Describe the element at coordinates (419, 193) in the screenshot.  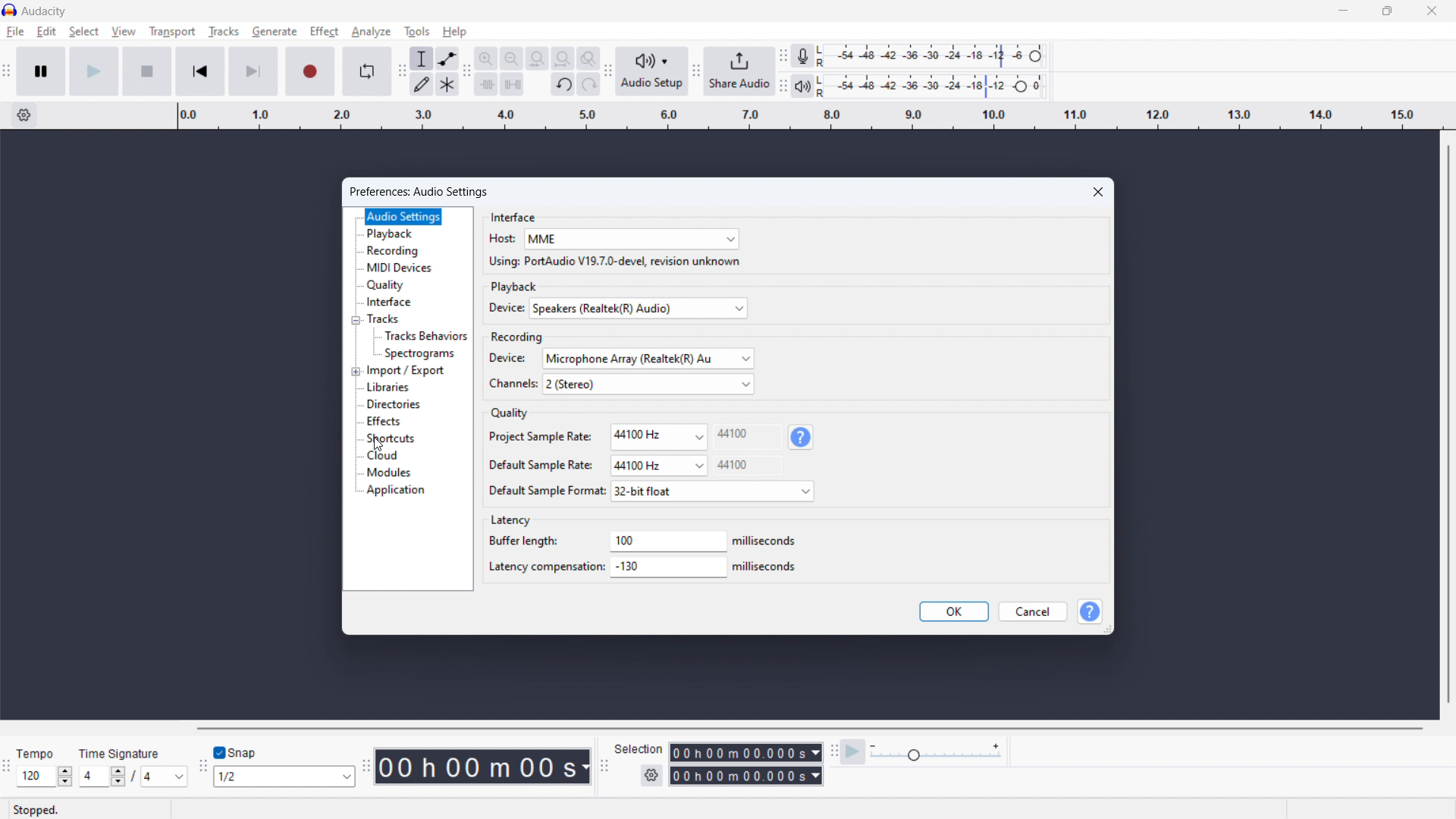
I see `preferences: audio settings` at that location.